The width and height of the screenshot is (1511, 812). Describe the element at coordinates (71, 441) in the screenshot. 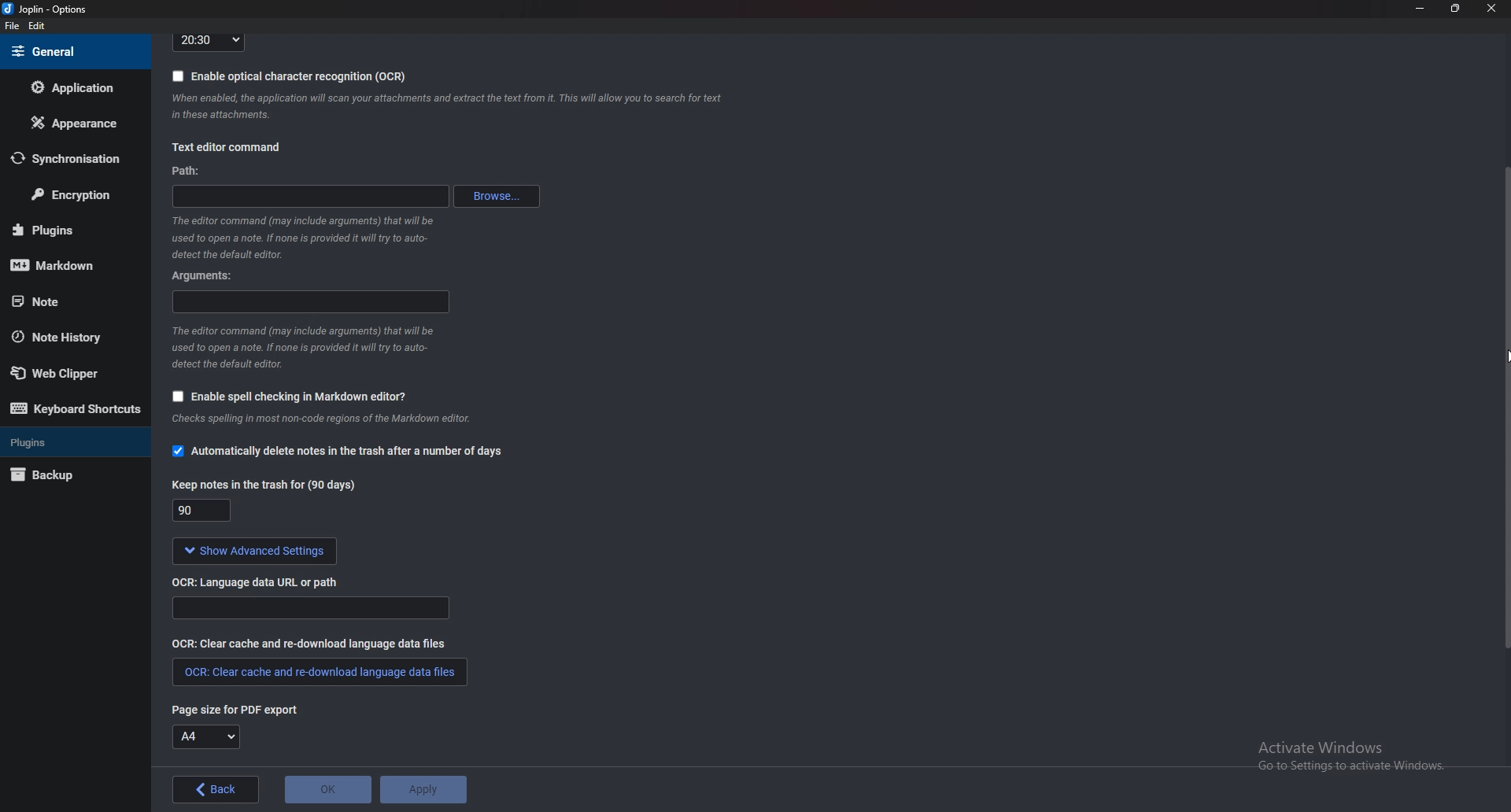

I see `plugins` at that location.